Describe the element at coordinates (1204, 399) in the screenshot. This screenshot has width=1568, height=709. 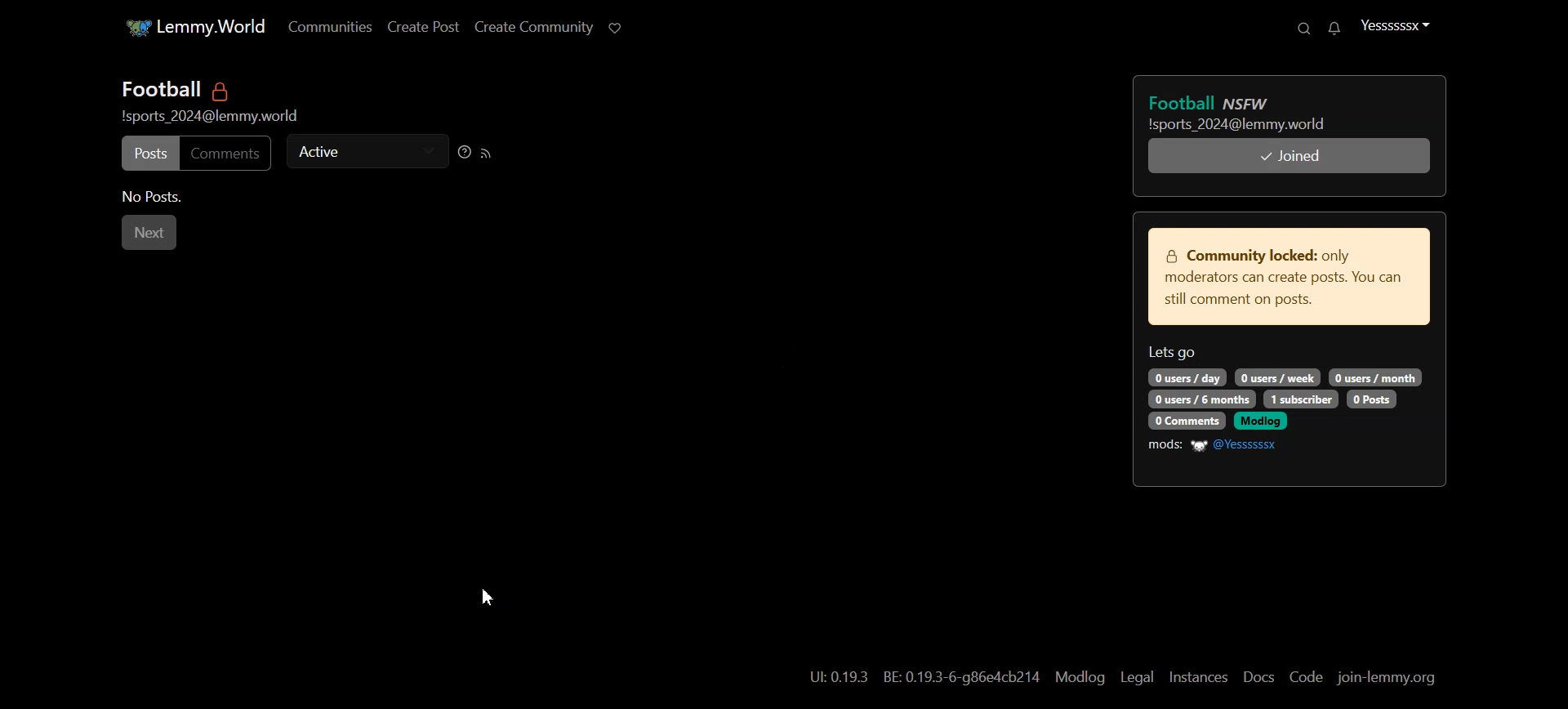
I see `text` at that location.